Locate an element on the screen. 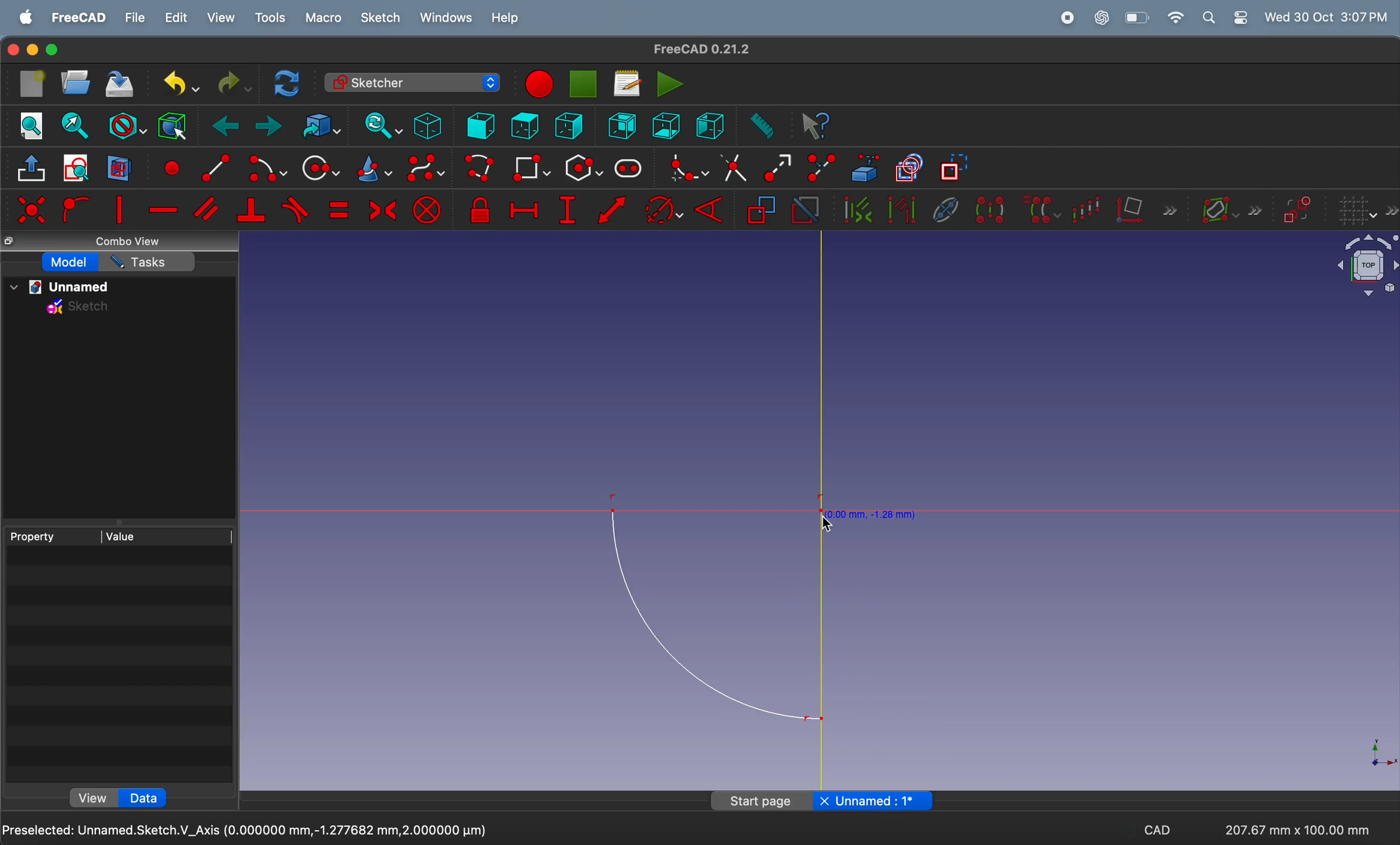 Image resolution: width=1400 pixels, height=845 pixels. freeCad is located at coordinates (79, 18).